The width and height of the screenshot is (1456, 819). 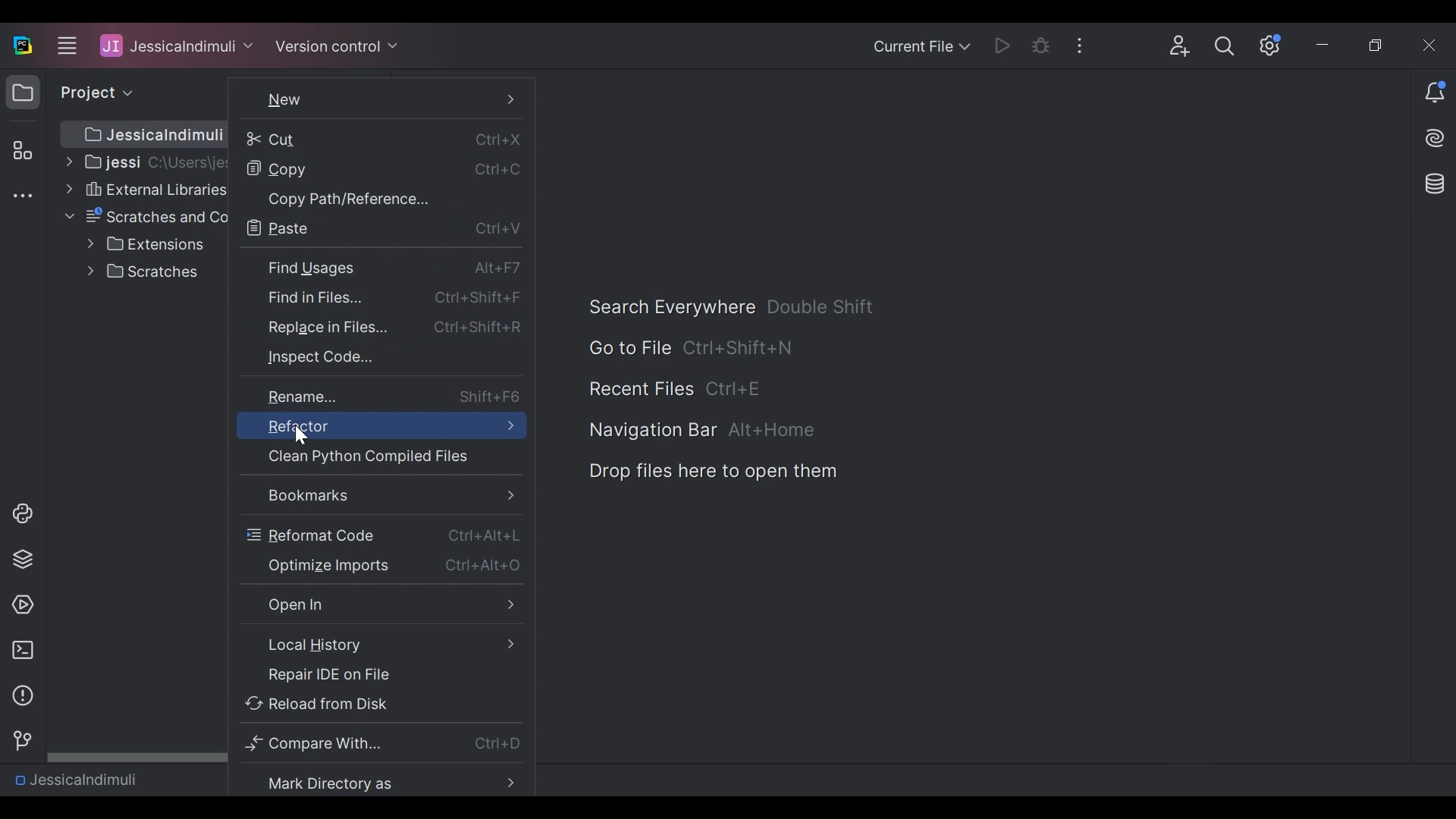 What do you see at coordinates (379, 425) in the screenshot?
I see `Refractor` at bounding box center [379, 425].